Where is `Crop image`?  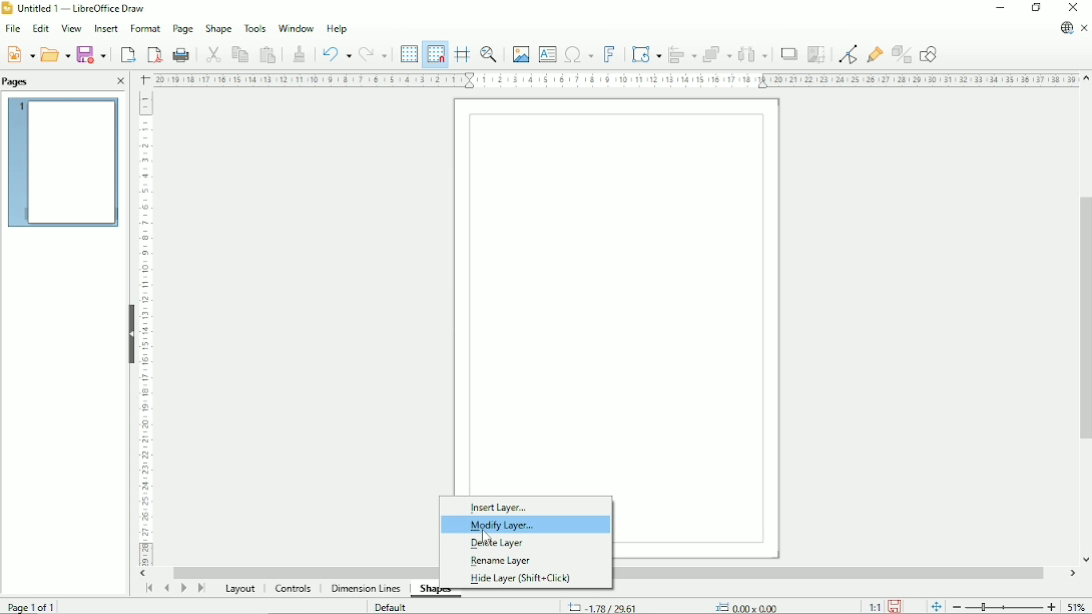 Crop image is located at coordinates (816, 55).